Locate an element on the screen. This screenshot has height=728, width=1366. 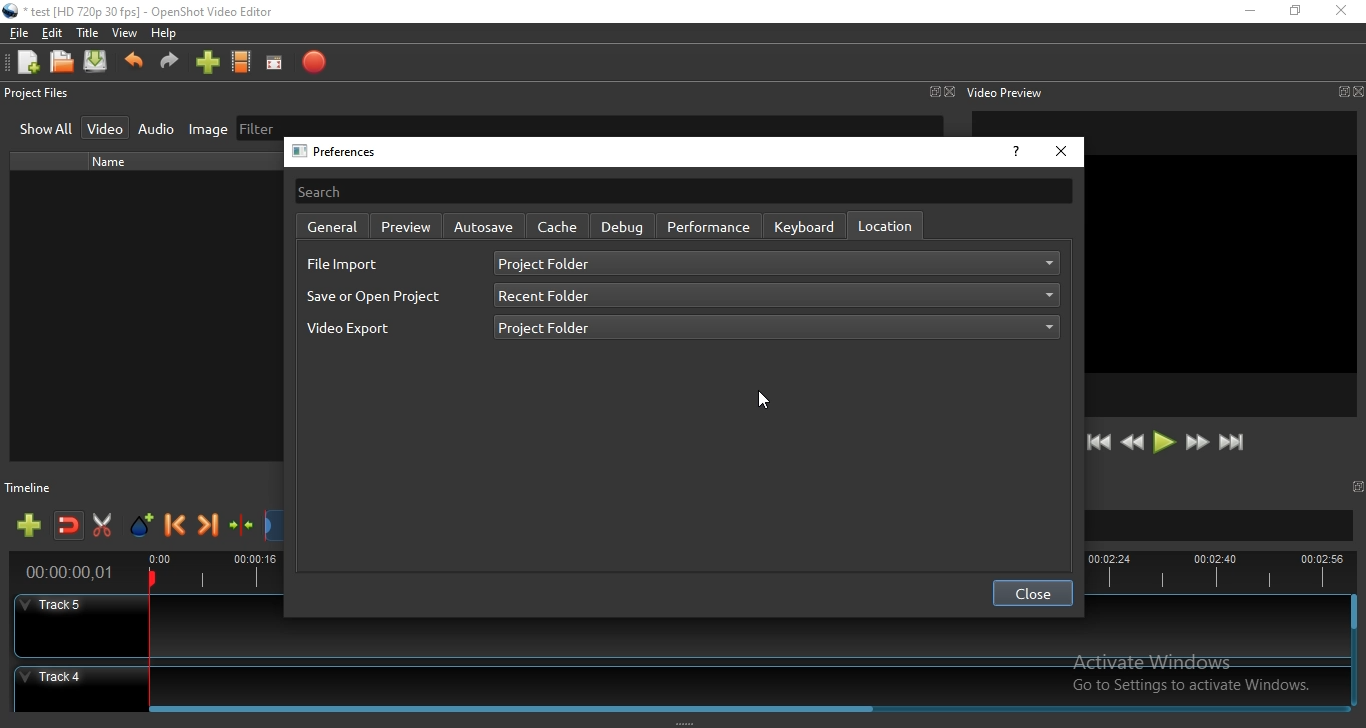
Export video is located at coordinates (313, 63).